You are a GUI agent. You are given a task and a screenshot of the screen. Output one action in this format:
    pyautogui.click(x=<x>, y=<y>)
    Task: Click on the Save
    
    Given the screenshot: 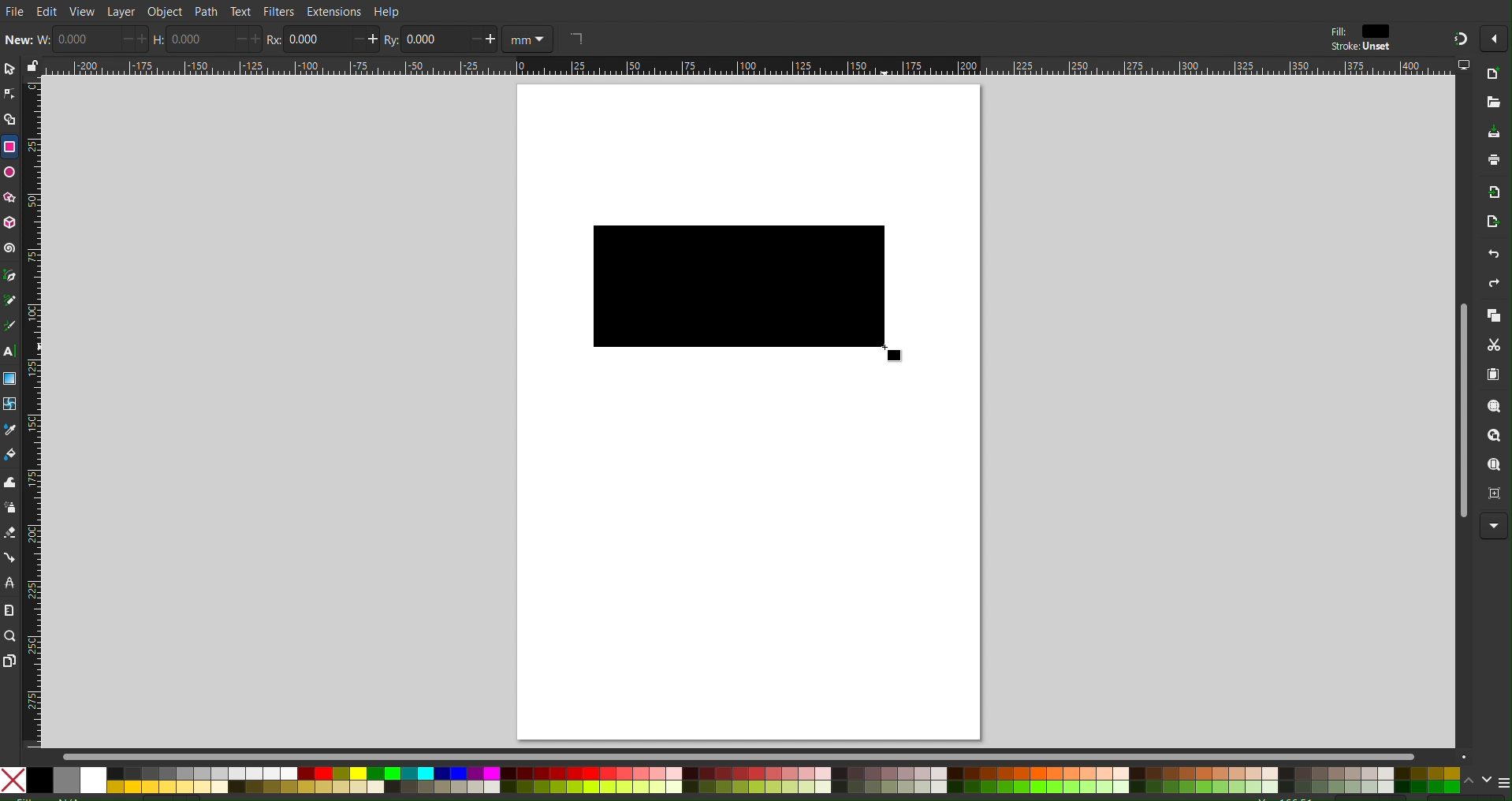 What is the action you would take?
    pyautogui.click(x=1490, y=132)
    